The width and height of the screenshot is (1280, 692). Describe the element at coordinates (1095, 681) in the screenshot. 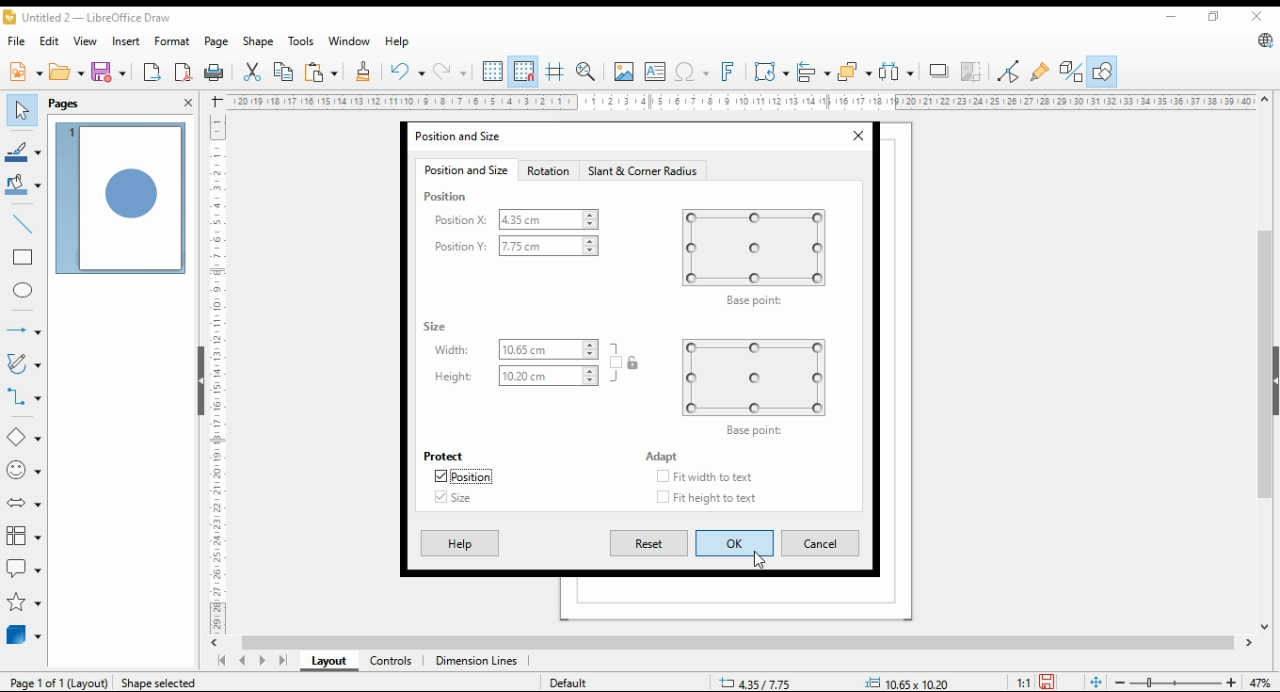

I see `fit page to window` at that location.